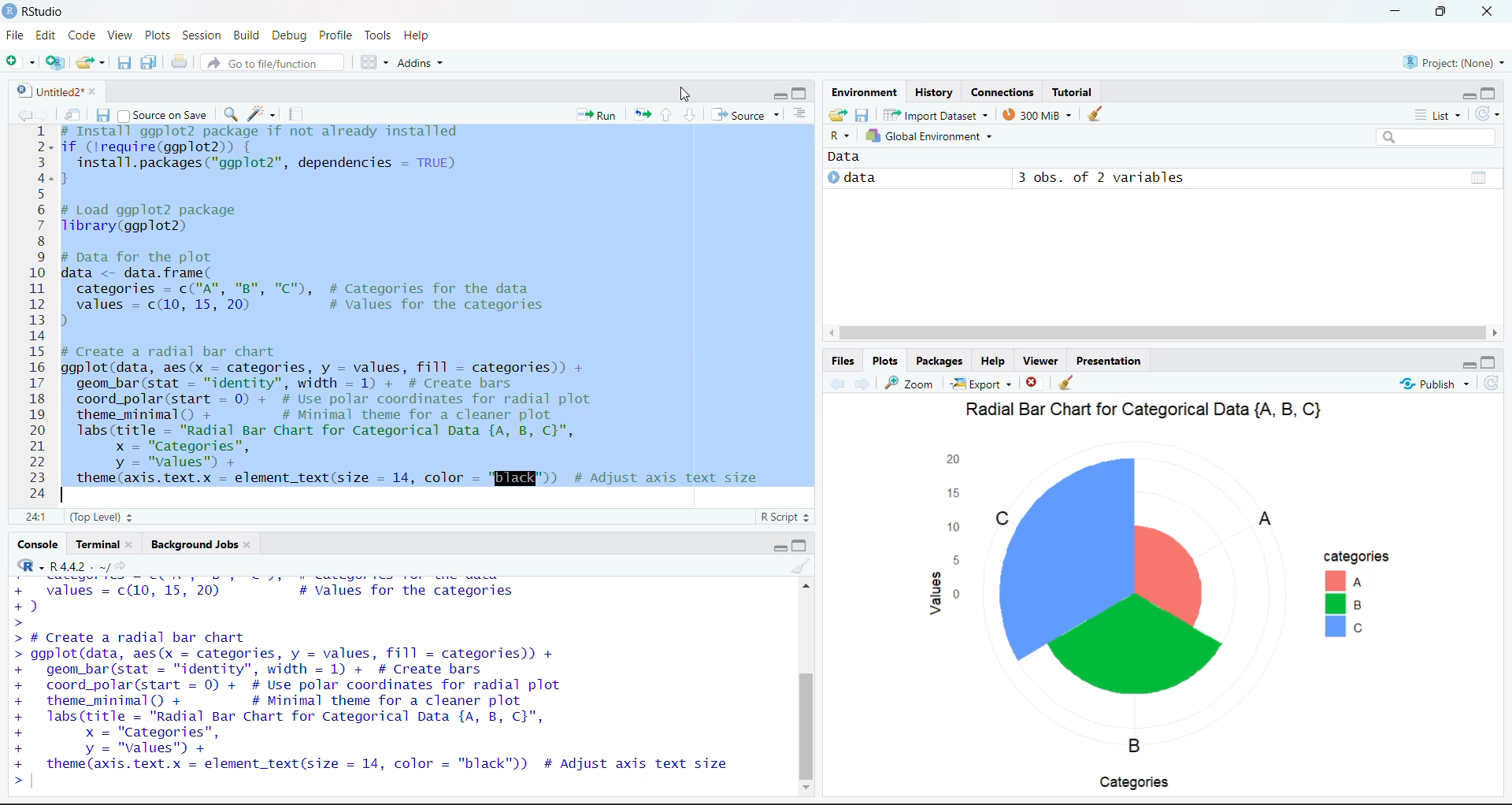  Describe the element at coordinates (854, 158) in the screenshot. I see `data` at that location.